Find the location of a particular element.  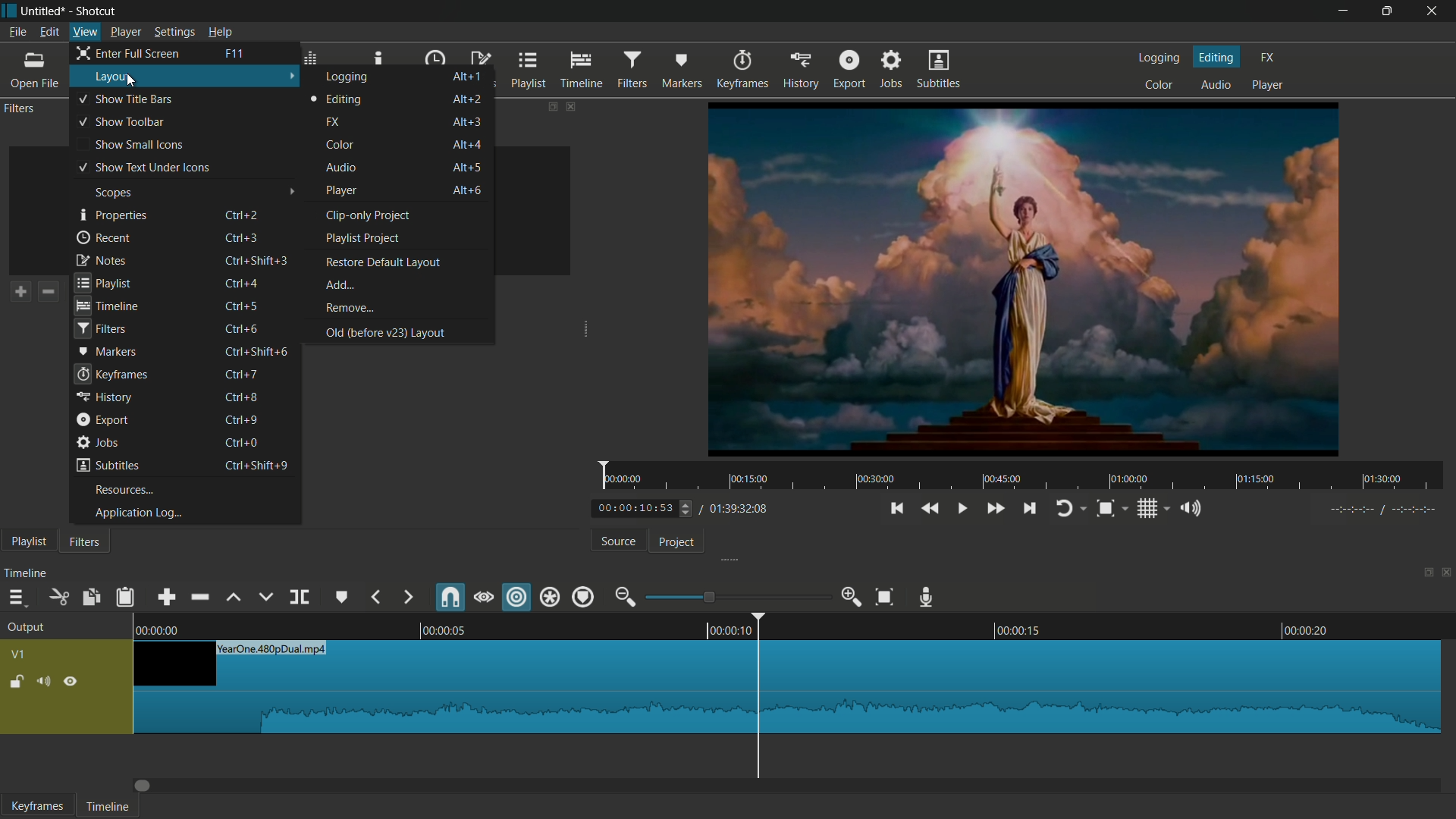

file menu is located at coordinates (17, 32).